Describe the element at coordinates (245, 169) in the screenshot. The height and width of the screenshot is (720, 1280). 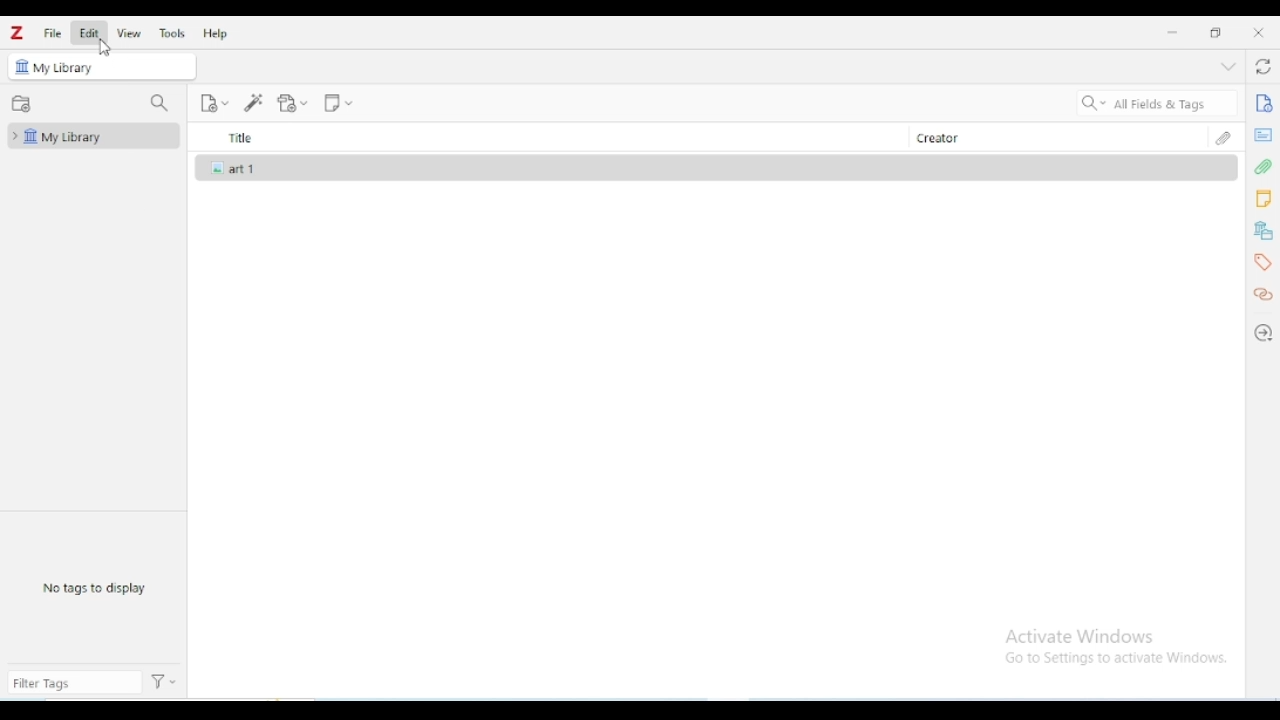
I see `art 1` at that location.